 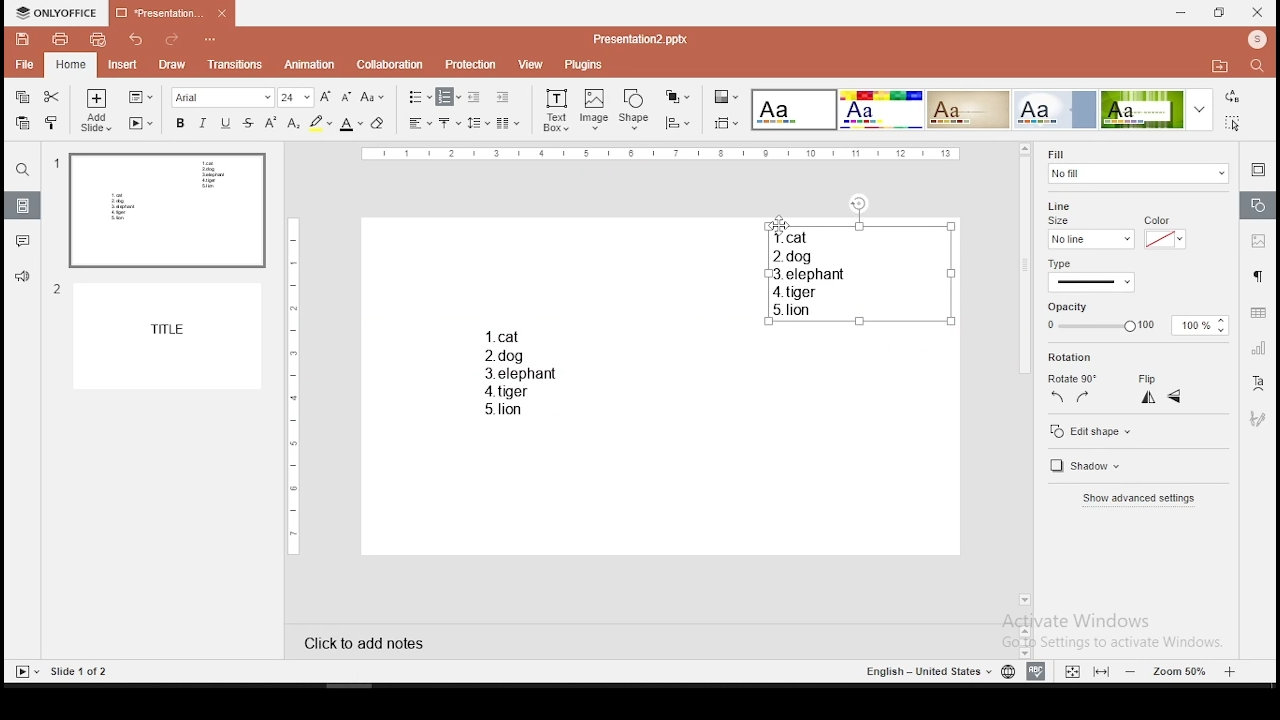 I want to click on paste, so click(x=24, y=124).